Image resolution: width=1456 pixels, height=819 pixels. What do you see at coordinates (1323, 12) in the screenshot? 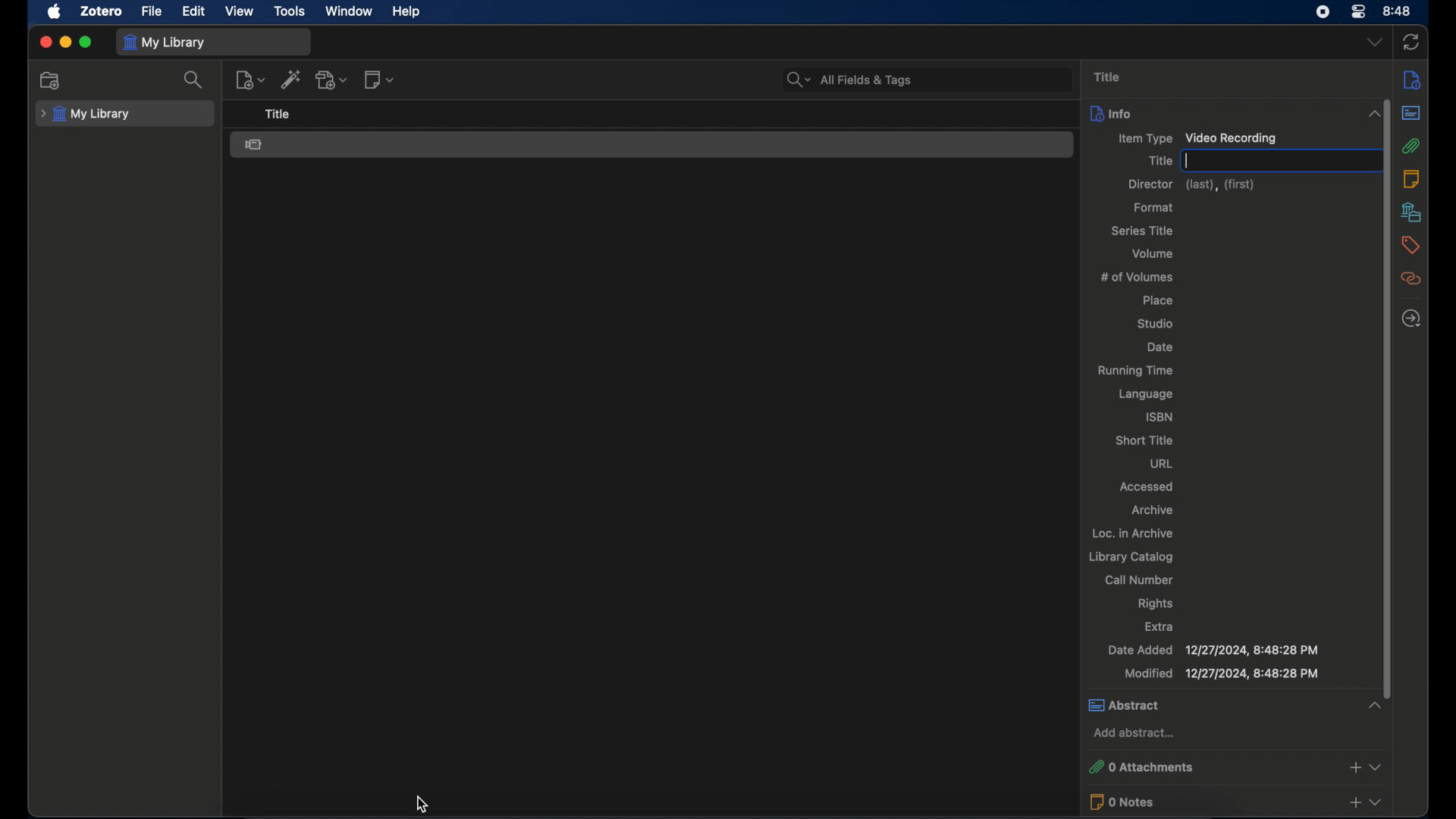
I see `screen recorder` at bounding box center [1323, 12].